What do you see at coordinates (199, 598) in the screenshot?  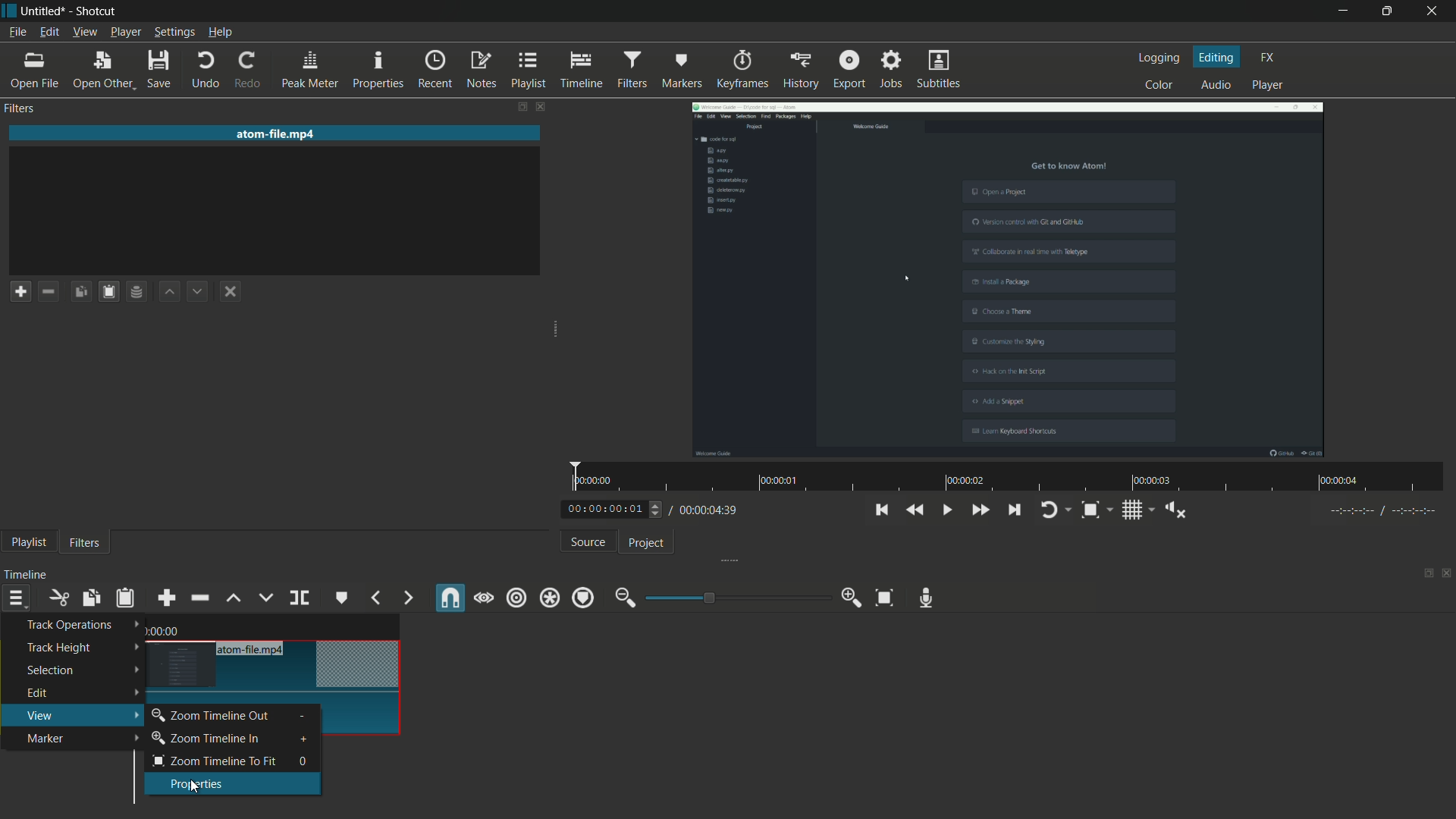 I see `ripple delete` at bounding box center [199, 598].